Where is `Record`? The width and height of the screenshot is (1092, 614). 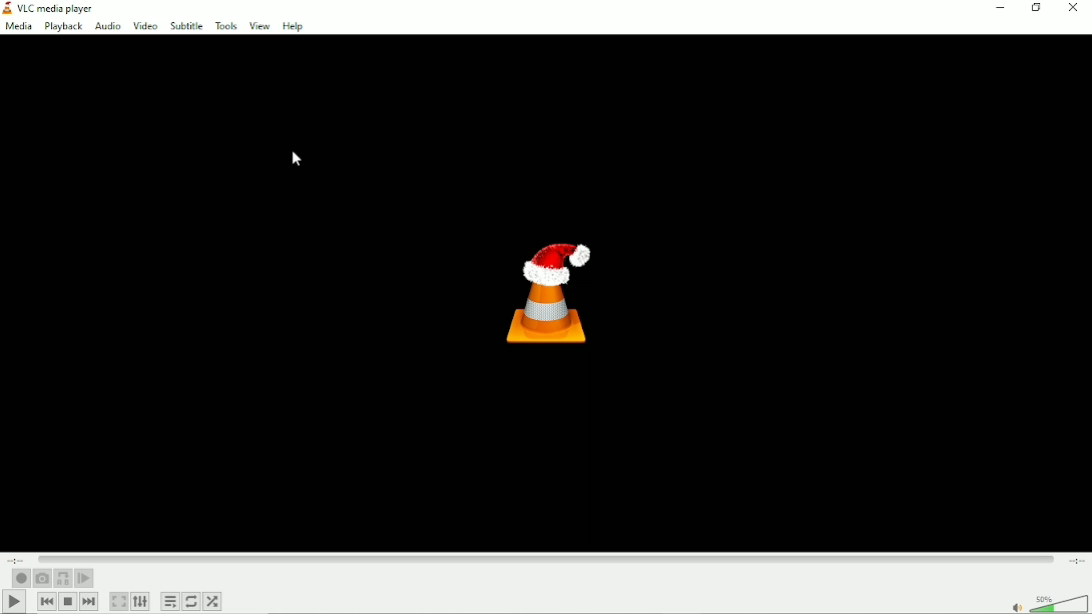
Record is located at coordinates (21, 578).